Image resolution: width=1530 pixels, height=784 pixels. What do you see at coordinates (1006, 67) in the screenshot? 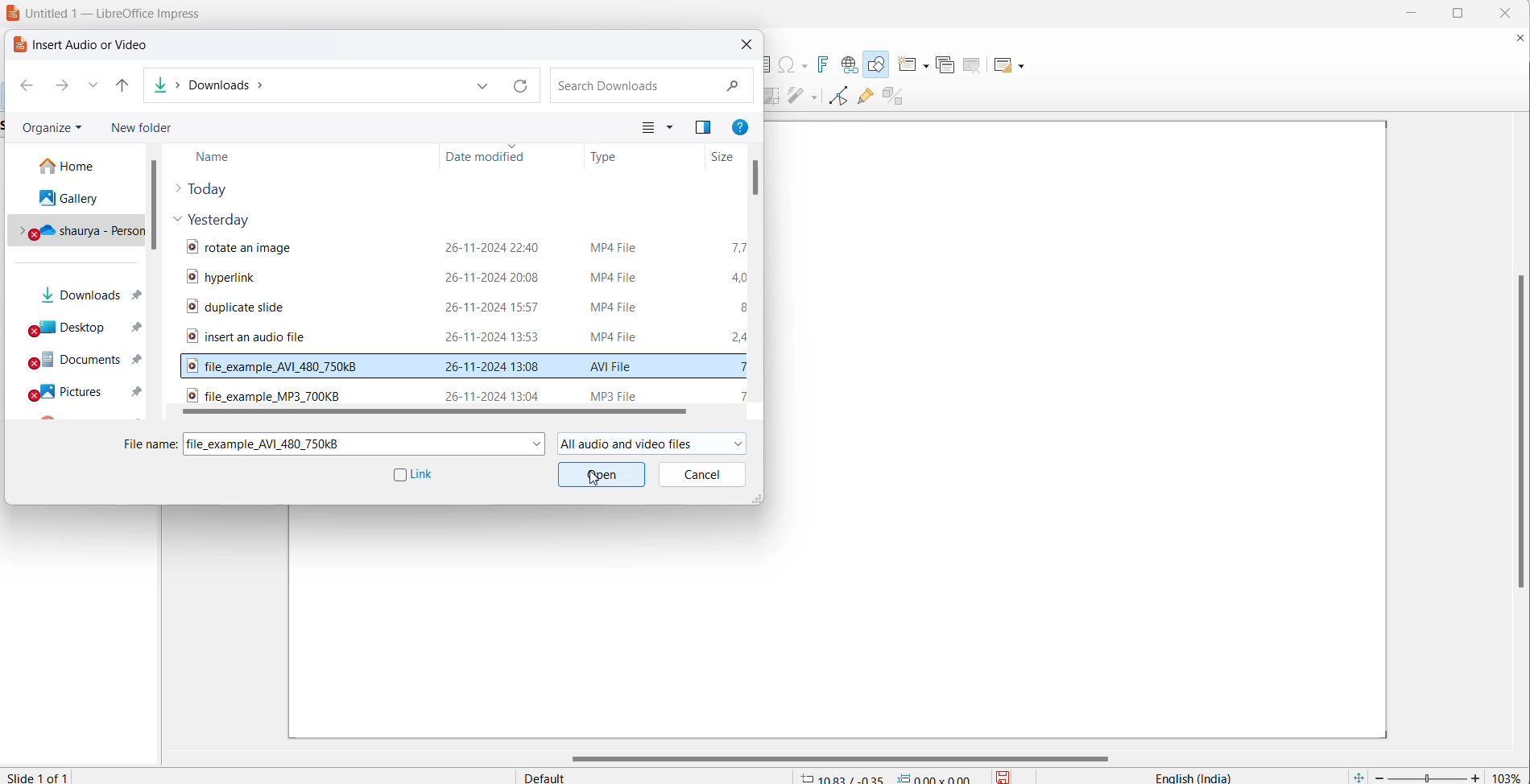
I see `slide layout` at bounding box center [1006, 67].